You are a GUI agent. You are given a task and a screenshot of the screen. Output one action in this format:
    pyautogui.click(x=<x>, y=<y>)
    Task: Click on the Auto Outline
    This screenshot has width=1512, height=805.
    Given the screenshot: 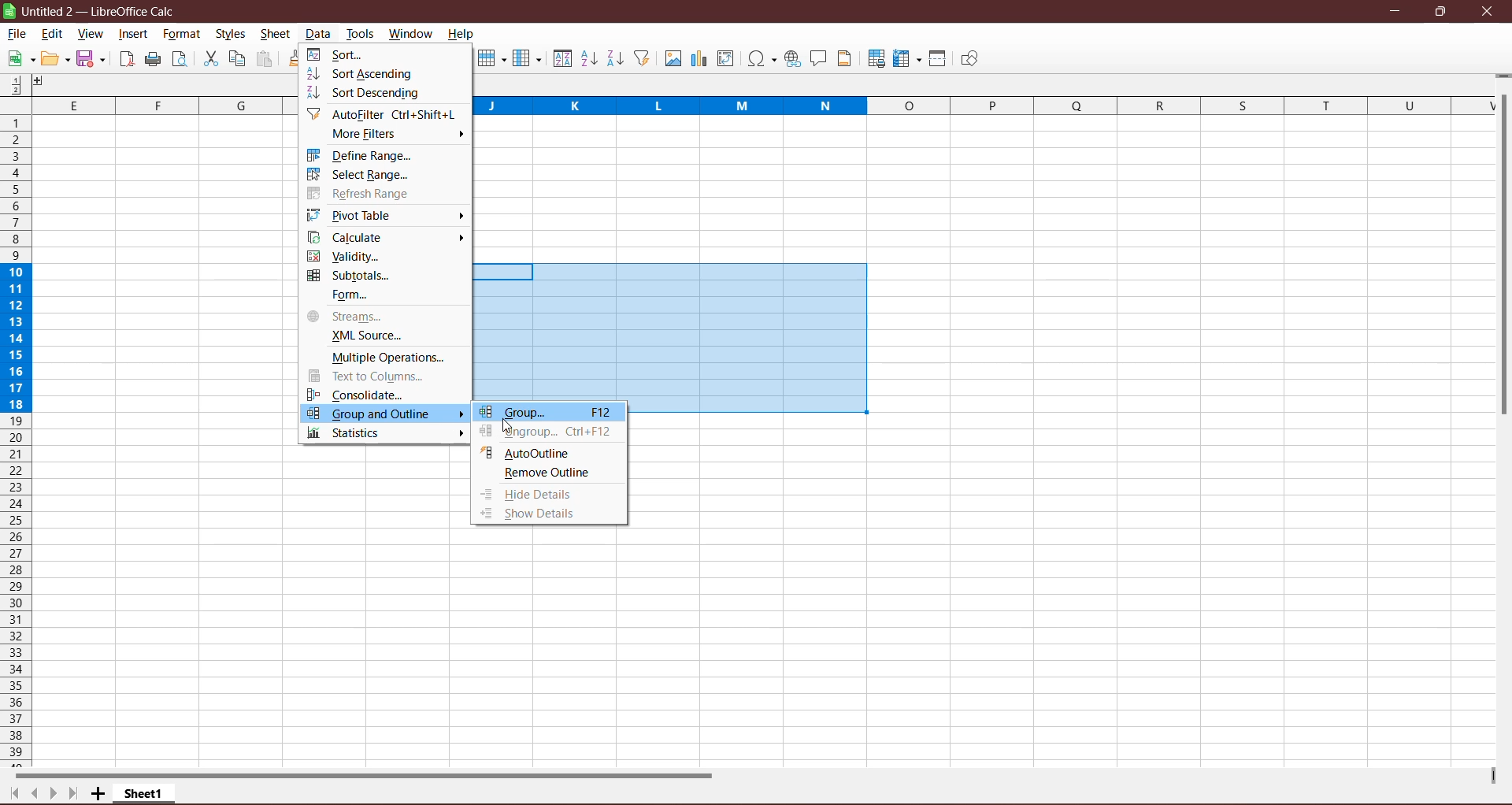 What is the action you would take?
    pyautogui.click(x=527, y=452)
    